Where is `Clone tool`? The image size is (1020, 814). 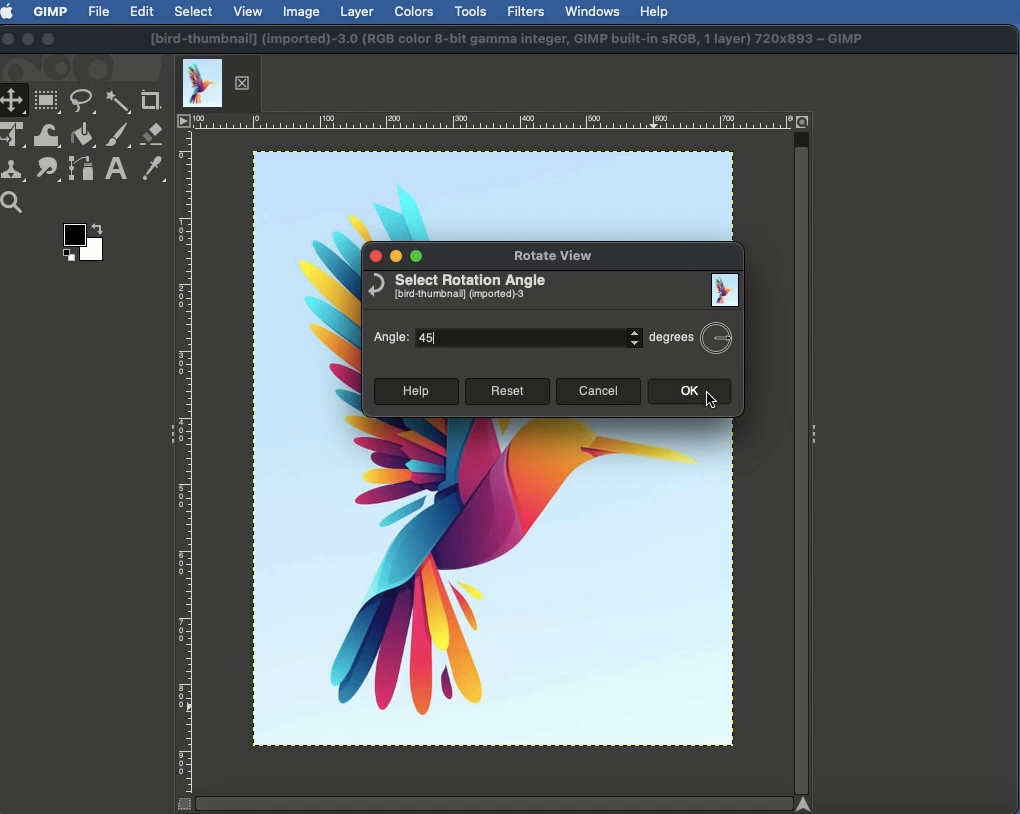
Clone tool is located at coordinates (15, 171).